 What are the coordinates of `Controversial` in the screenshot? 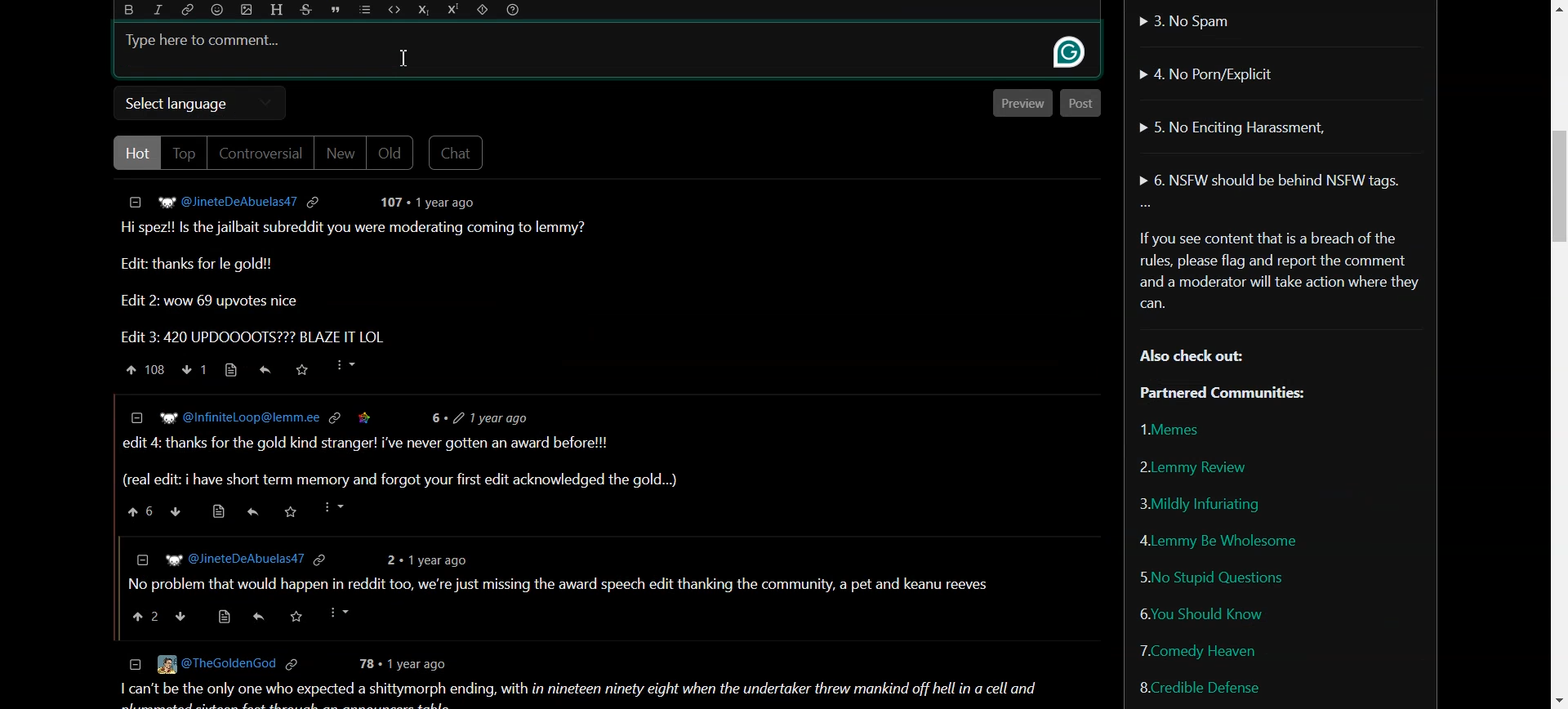 It's located at (262, 154).